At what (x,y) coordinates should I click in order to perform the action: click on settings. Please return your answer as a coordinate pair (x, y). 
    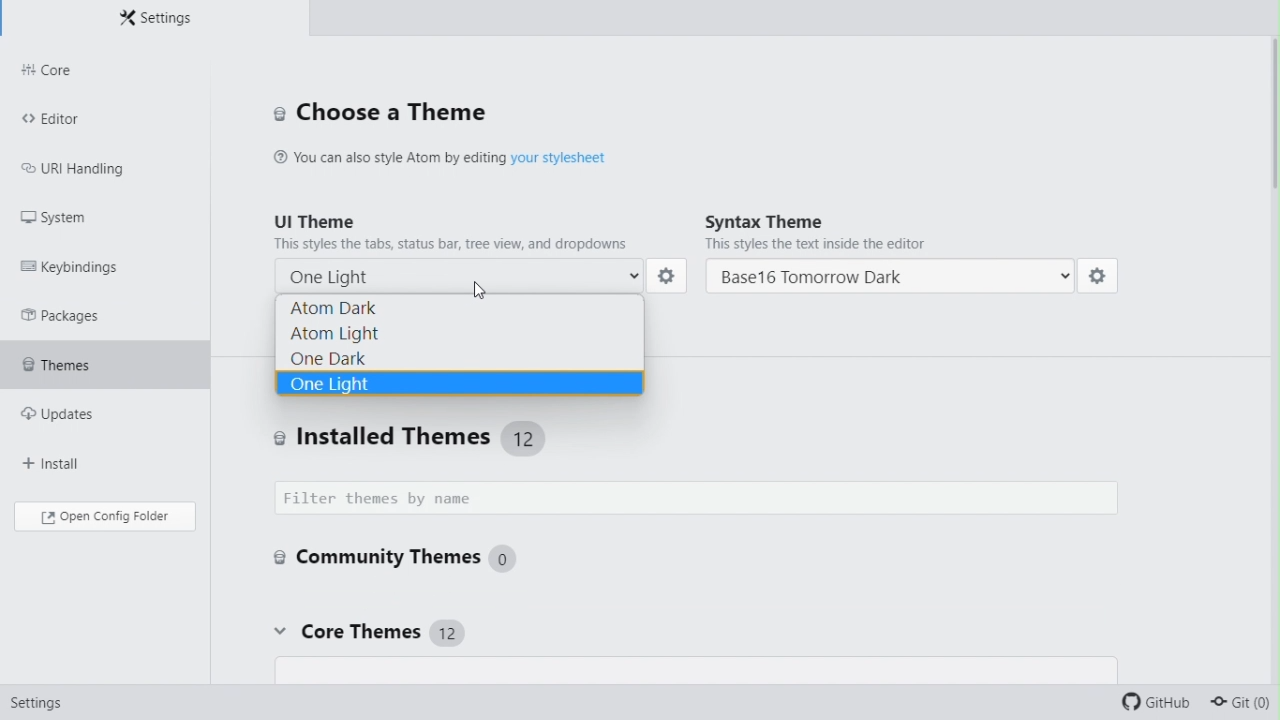
    Looking at the image, I should click on (669, 277).